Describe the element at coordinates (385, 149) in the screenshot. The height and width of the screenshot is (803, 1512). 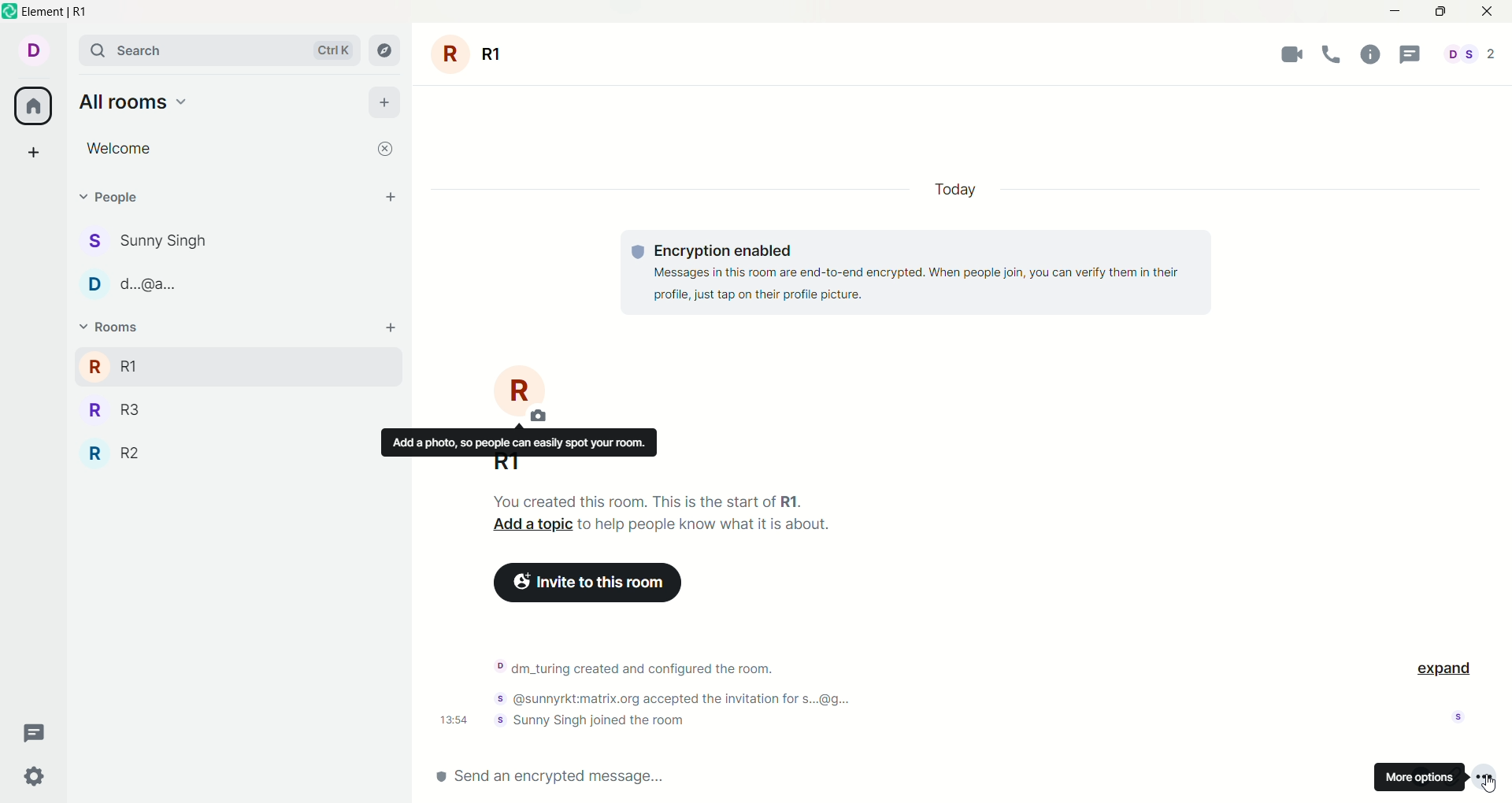
I see `close` at that location.